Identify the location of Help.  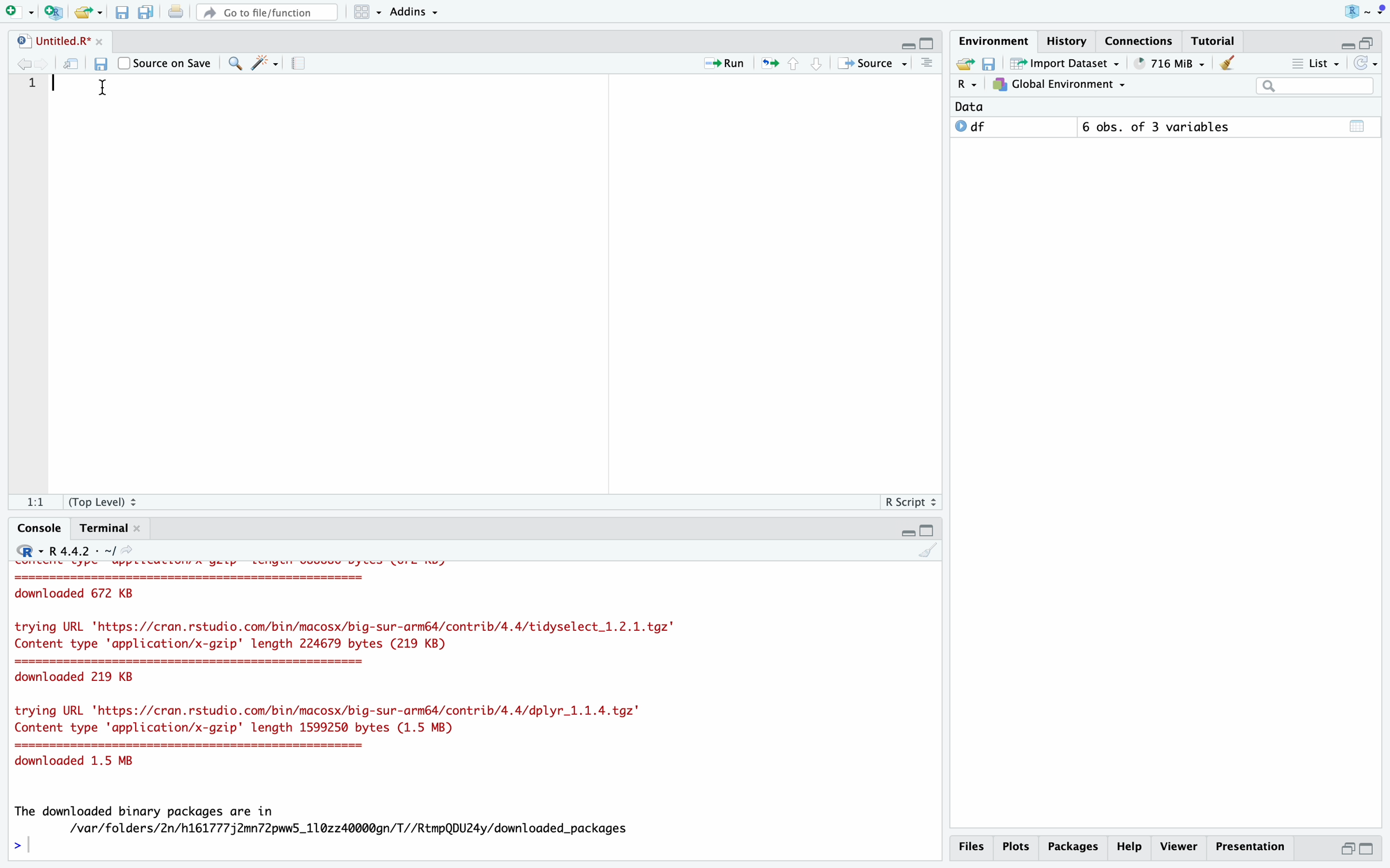
(1130, 847).